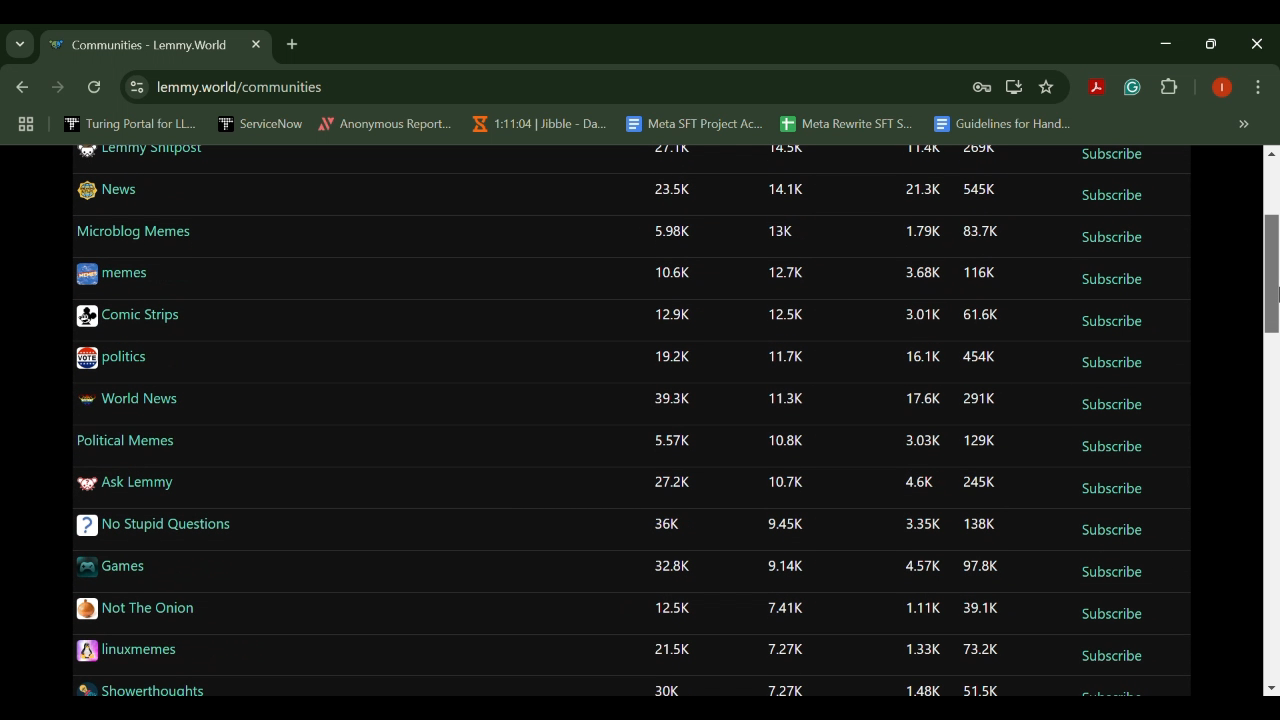 The height and width of the screenshot is (720, 1280). I want to click on Options, so click(1258, 89).